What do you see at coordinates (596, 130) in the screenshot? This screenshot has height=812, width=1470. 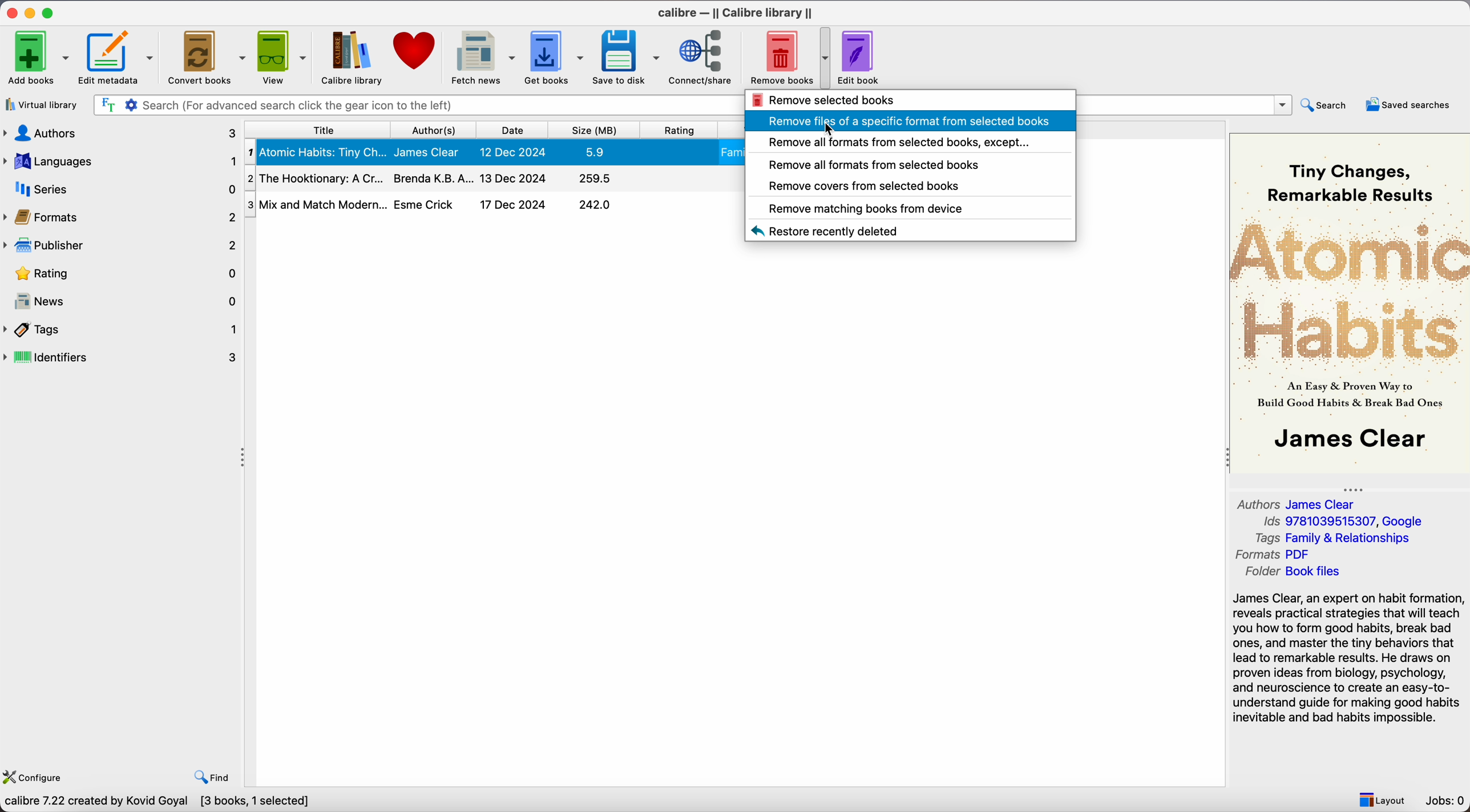 I see `size` at bounding box center [596, 130].